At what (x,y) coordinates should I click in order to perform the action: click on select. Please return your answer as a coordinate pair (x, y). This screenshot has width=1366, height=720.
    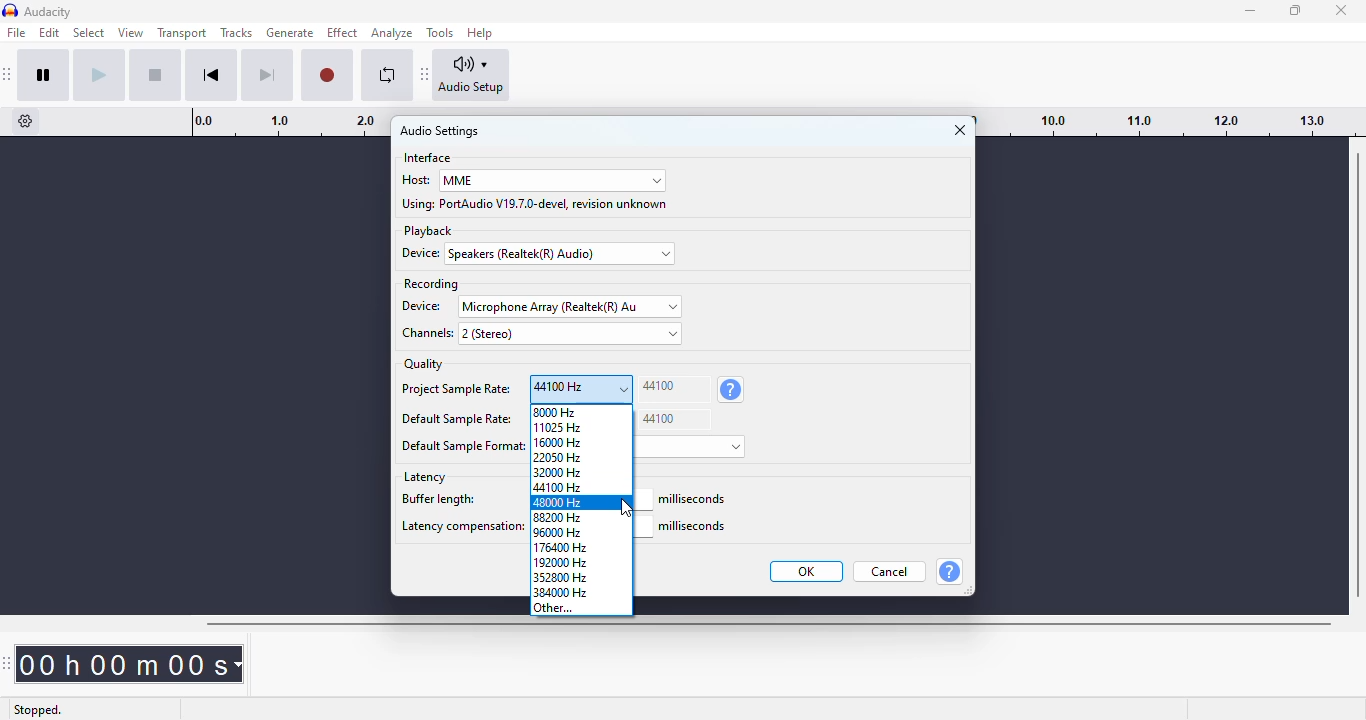
    Looking at the image, I should click on (90, 33).